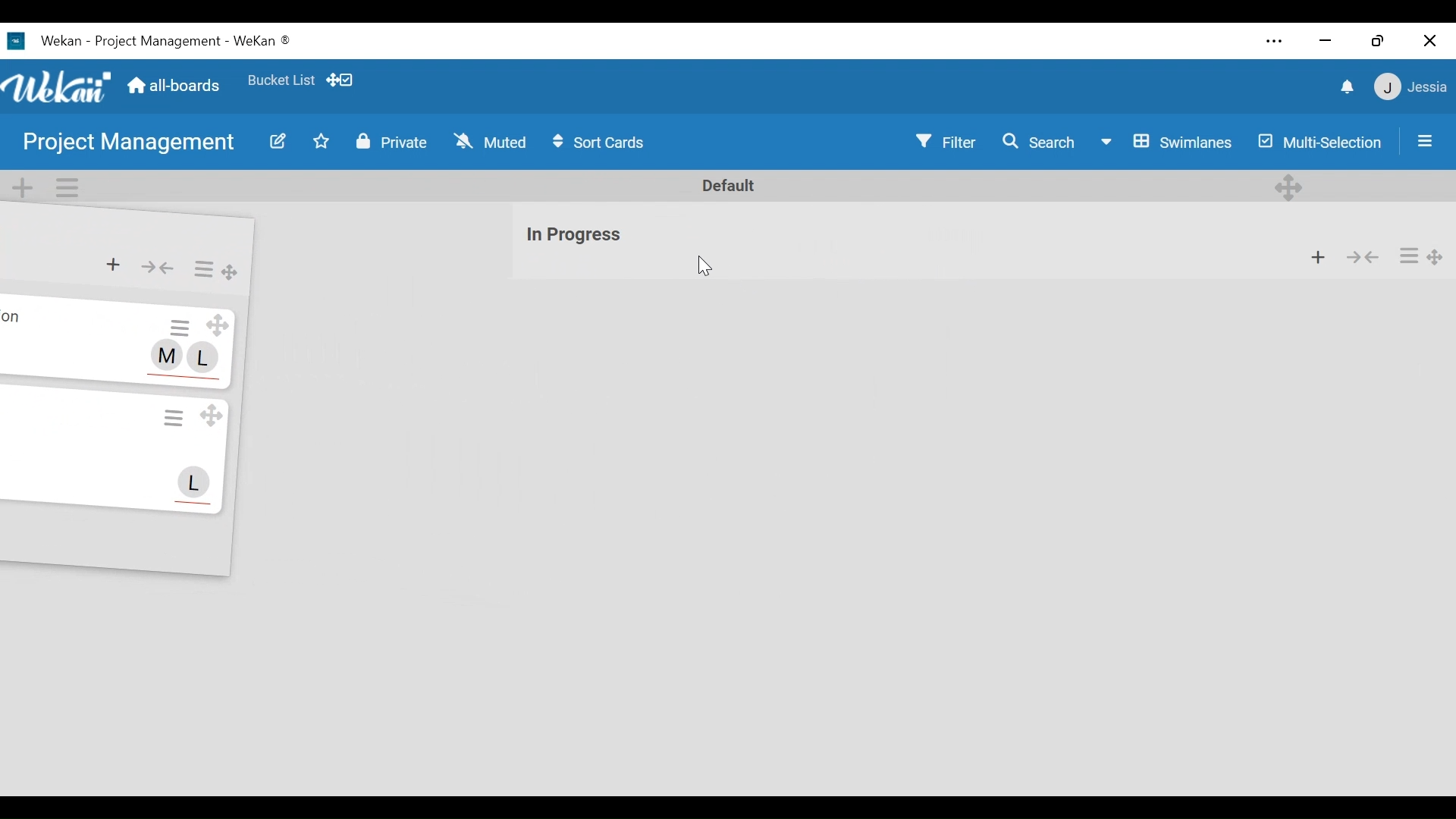 The image size is (1456, 819). Describe the element at coordinates (705, 263) in the screenshot. I see `cursor` at that location.